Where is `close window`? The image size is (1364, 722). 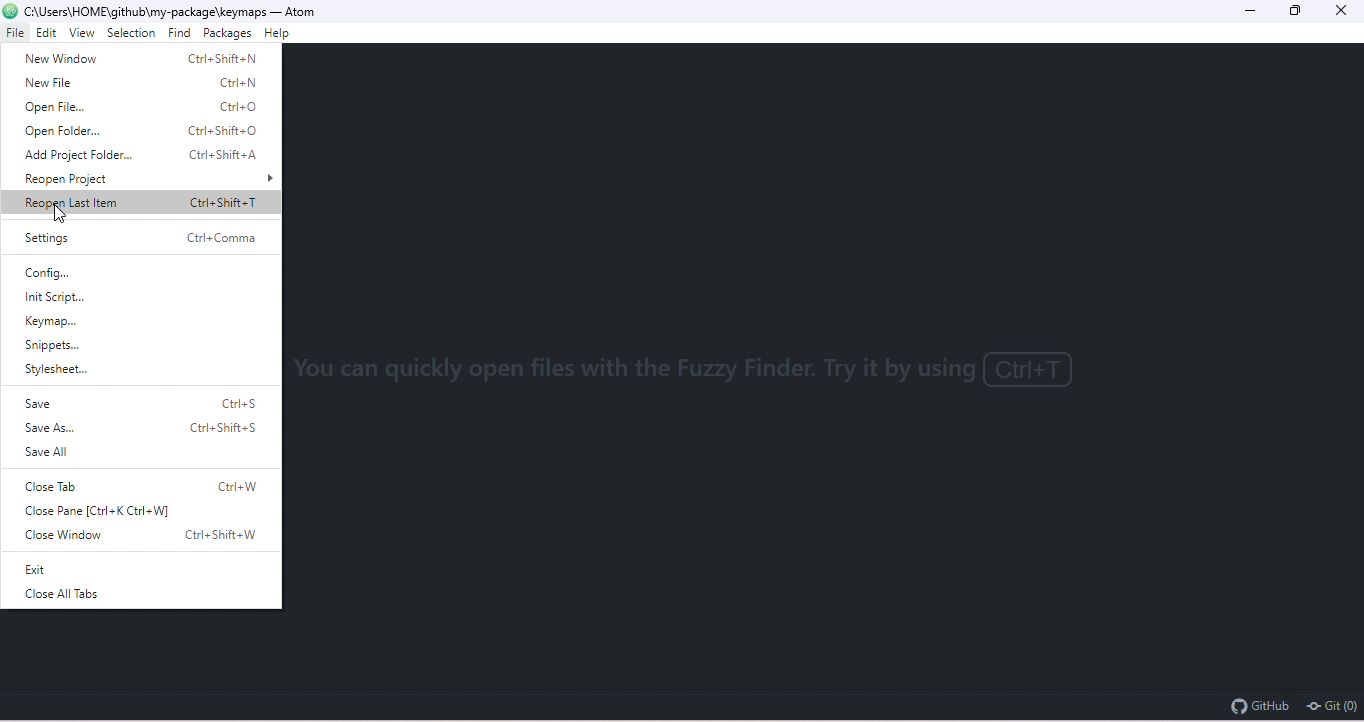 close window is located at coordinates (146, 534).